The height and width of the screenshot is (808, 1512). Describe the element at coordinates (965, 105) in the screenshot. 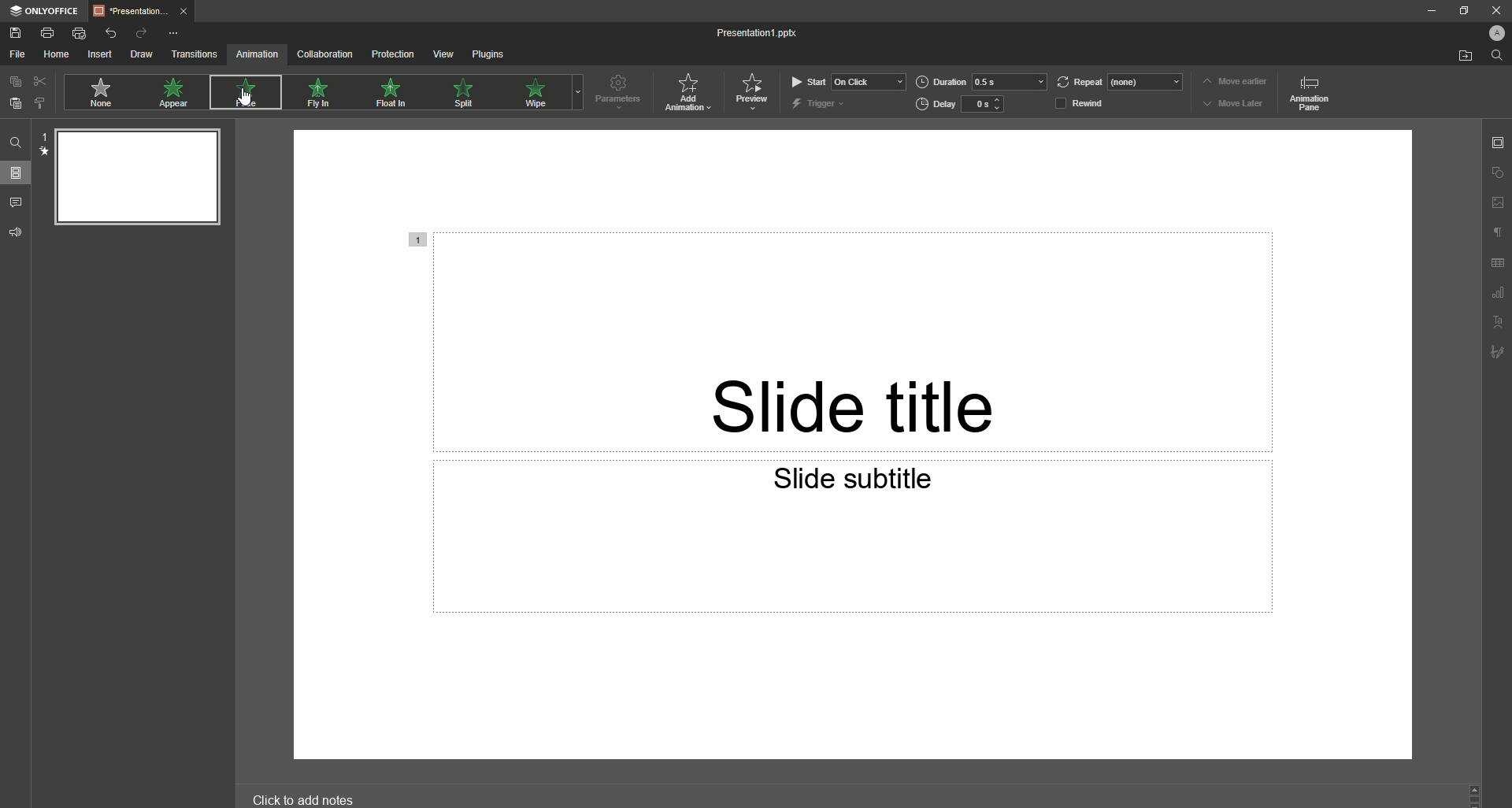

I see `Delay` at that location.